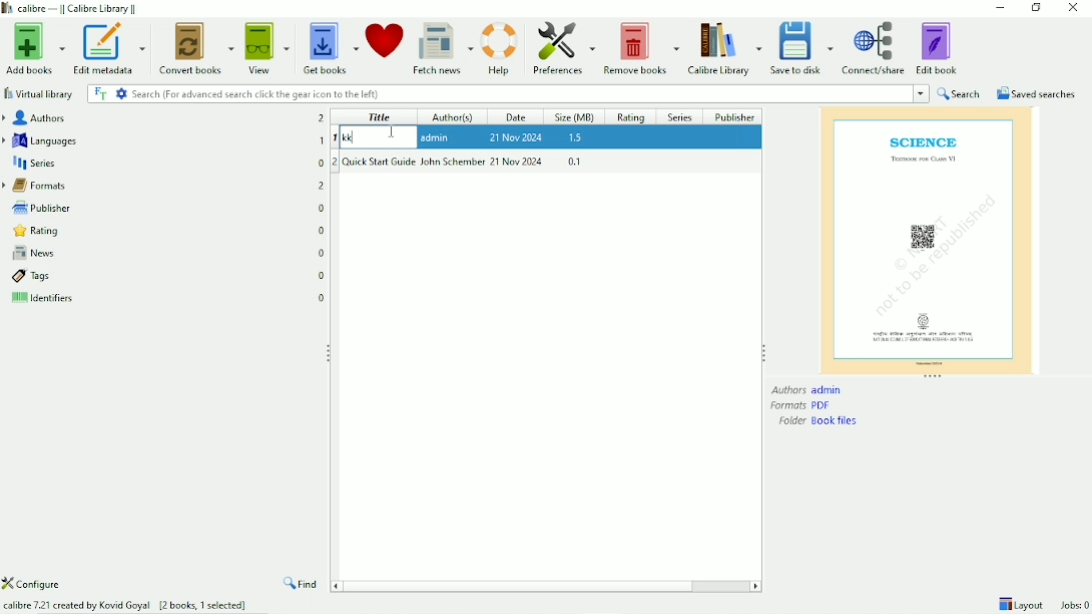 Image resolution: width=1092 pixels, height=614 pixels. Describe the element at coordinates (335, 138) in the screenshot. I see `1` at that location.